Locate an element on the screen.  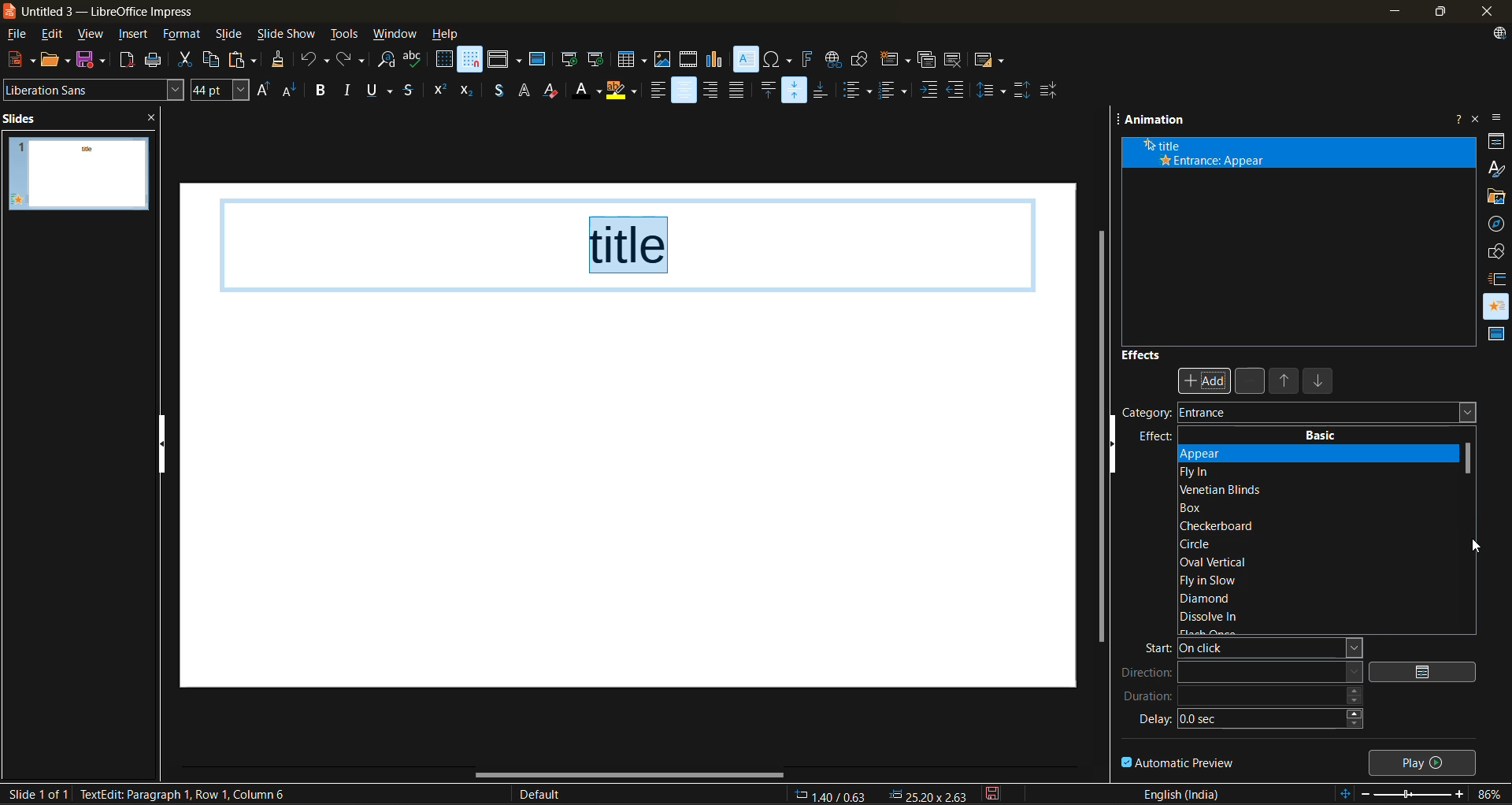
open is located at coordinates (57, 59).